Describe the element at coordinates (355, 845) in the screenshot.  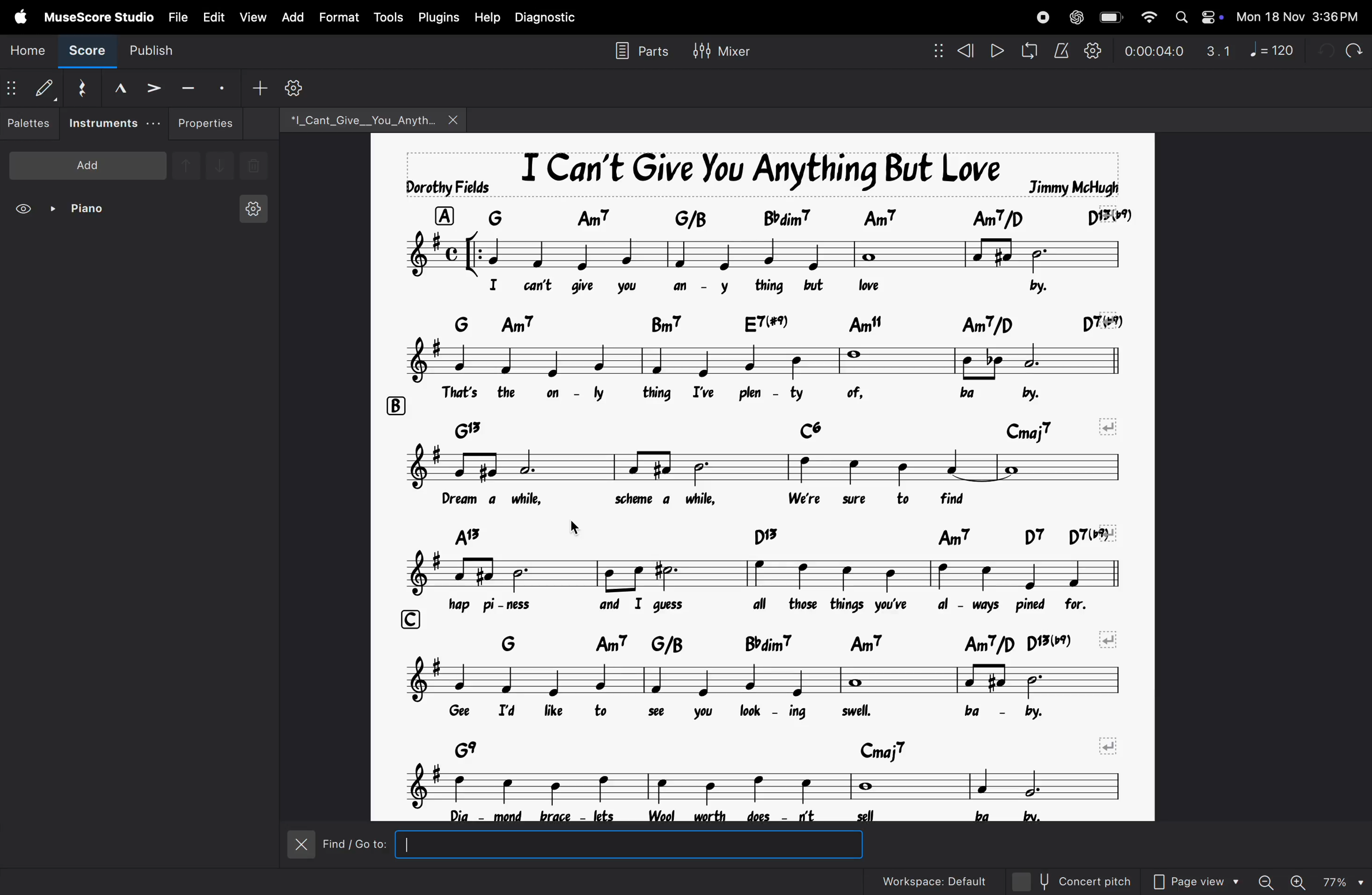
I see `Find/Go to` at that location.